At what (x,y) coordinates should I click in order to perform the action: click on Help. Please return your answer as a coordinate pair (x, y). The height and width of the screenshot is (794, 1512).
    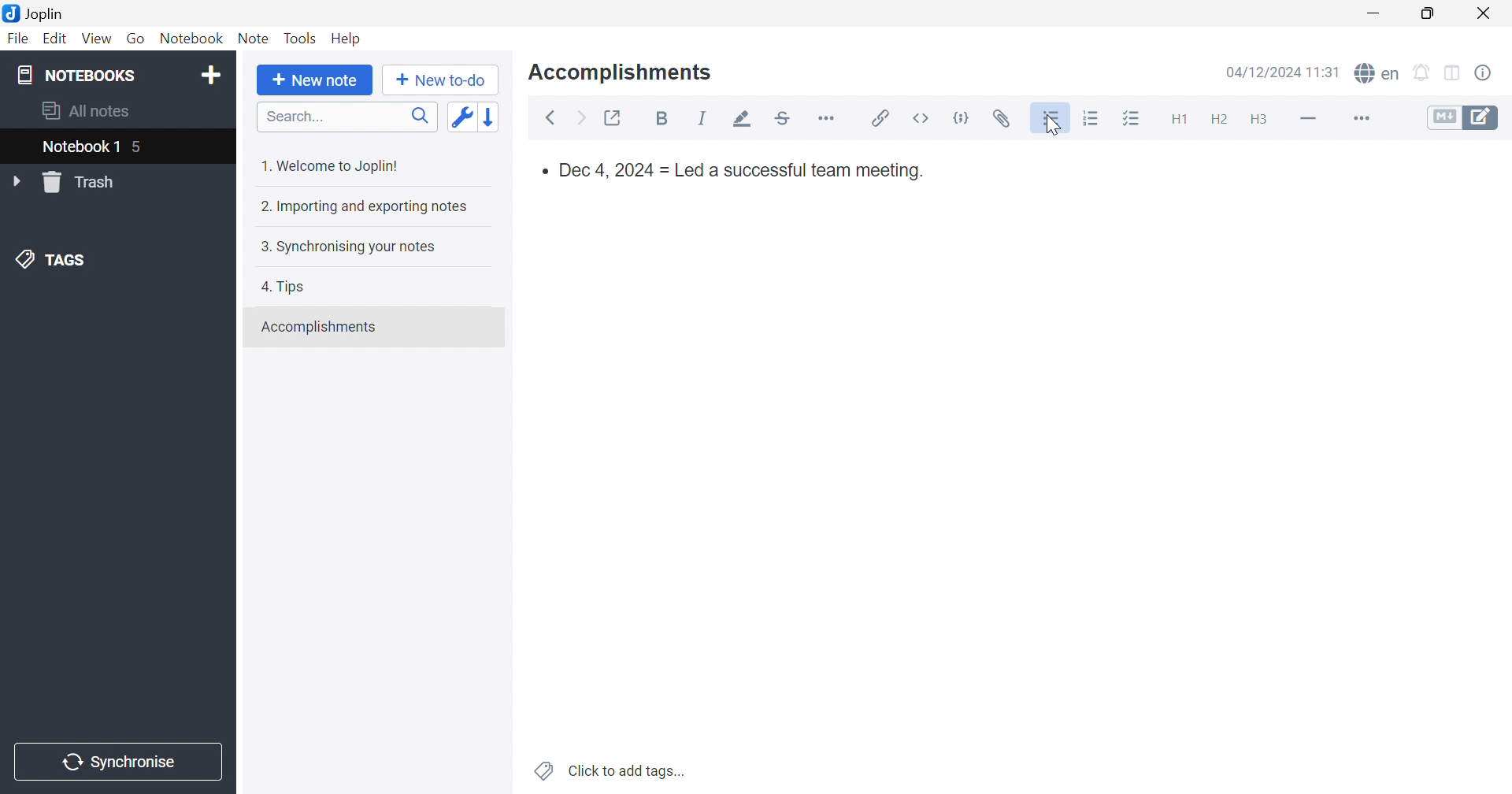
    Looking at the image, I should click on (347, 36).